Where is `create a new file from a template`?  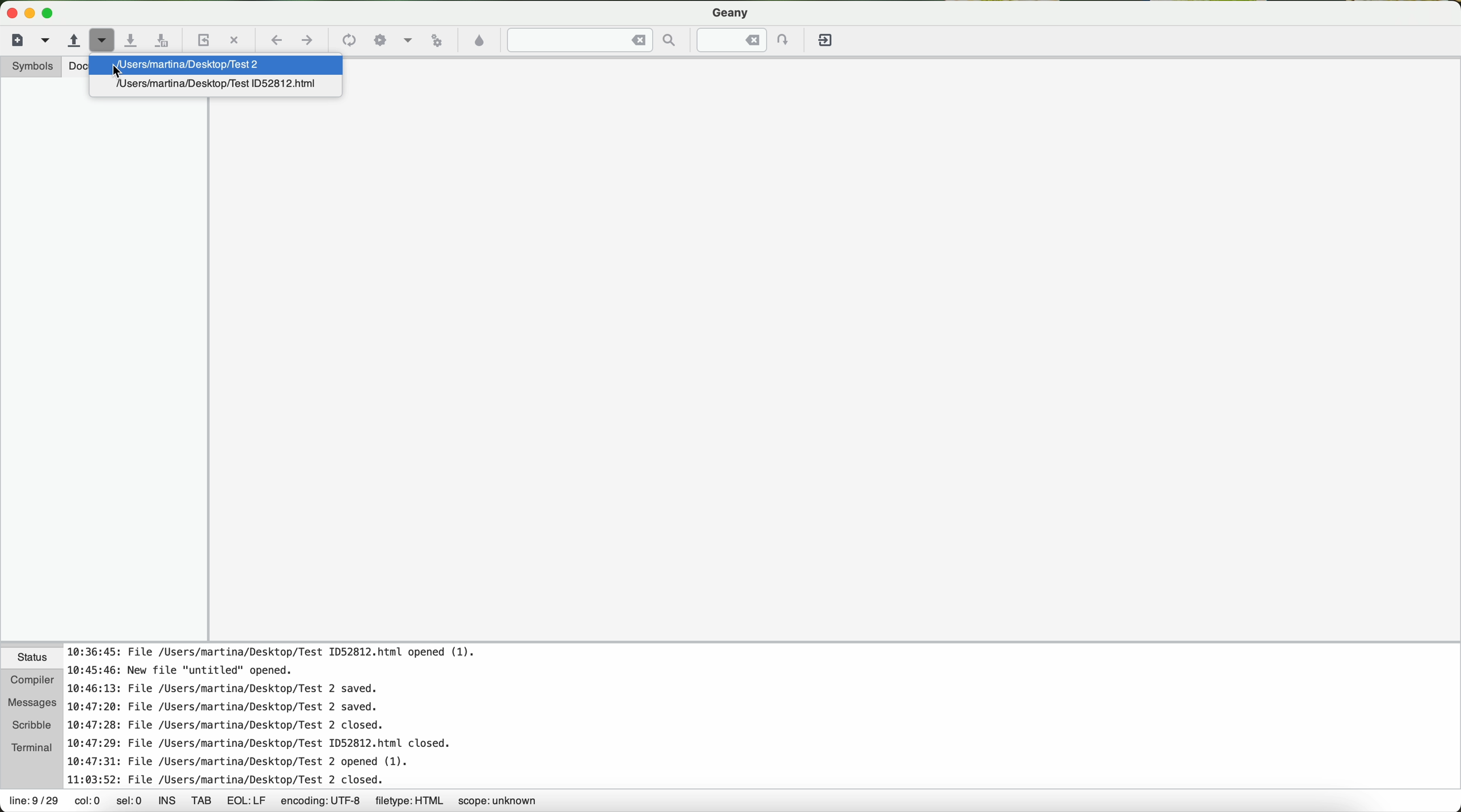
create a new file from a template is located at coordinates (48, 42).